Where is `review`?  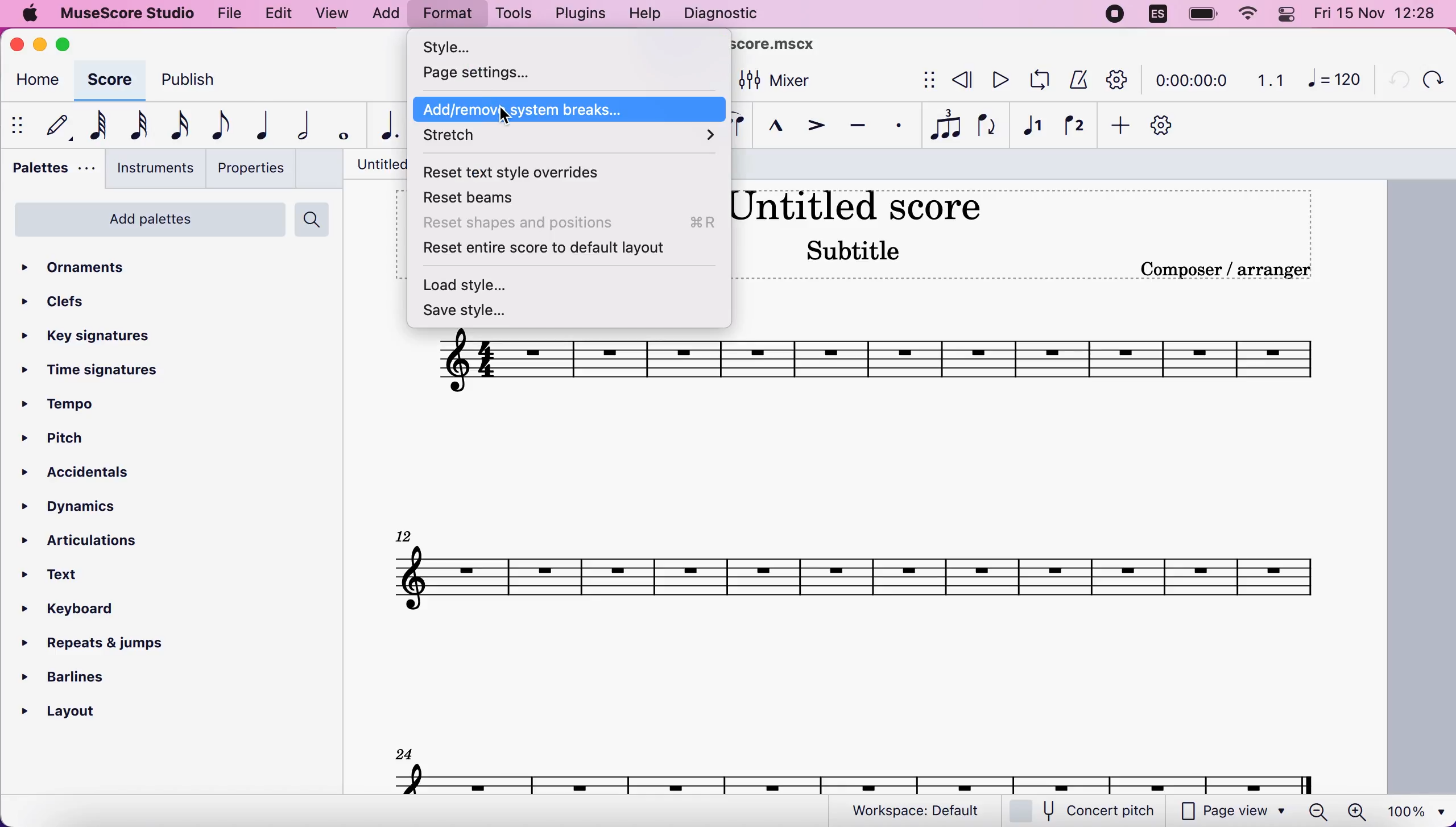
review is located at coordinates (963, 80).